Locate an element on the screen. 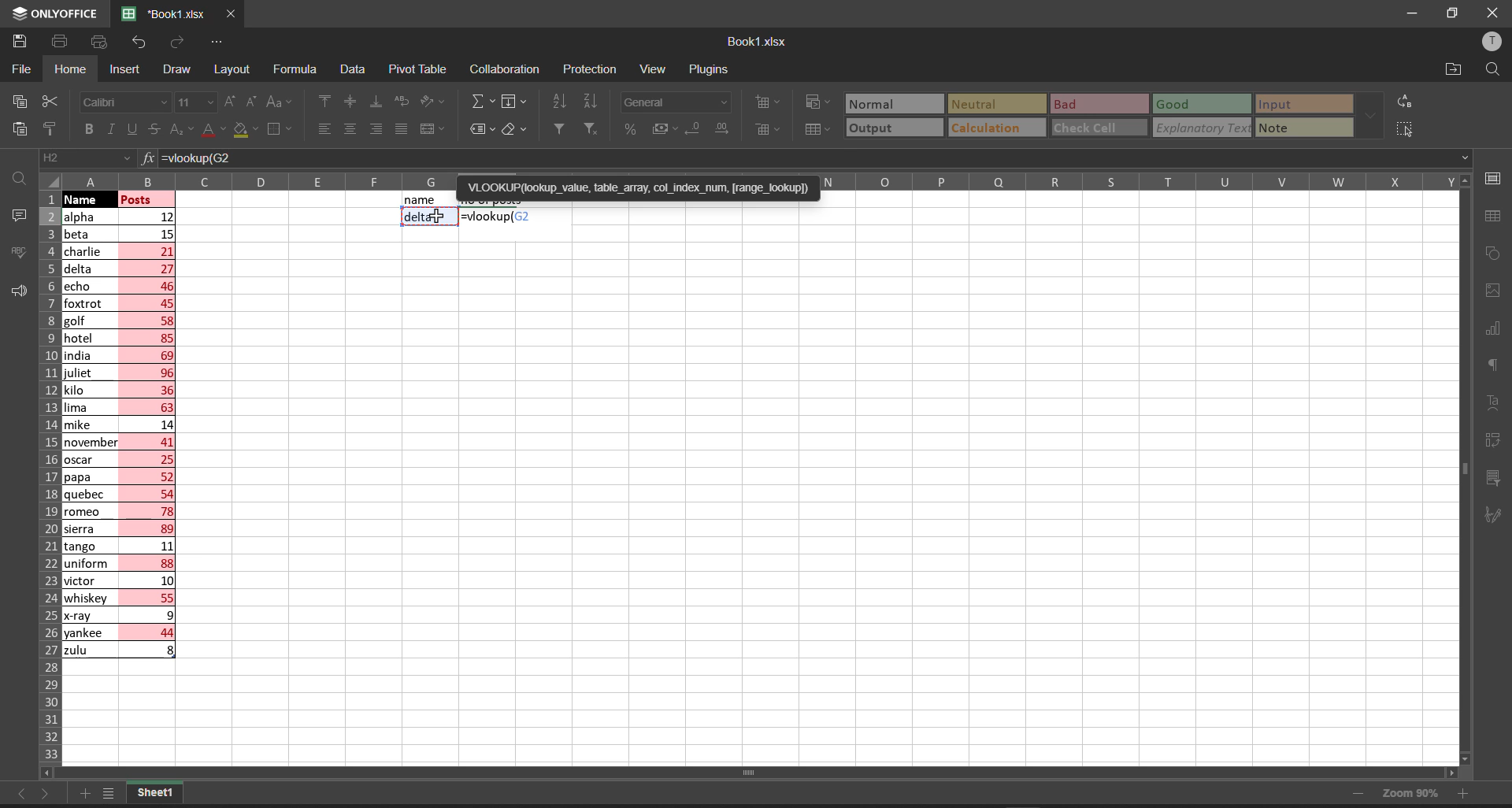  increase decimal is located at coordinates (724, 131).